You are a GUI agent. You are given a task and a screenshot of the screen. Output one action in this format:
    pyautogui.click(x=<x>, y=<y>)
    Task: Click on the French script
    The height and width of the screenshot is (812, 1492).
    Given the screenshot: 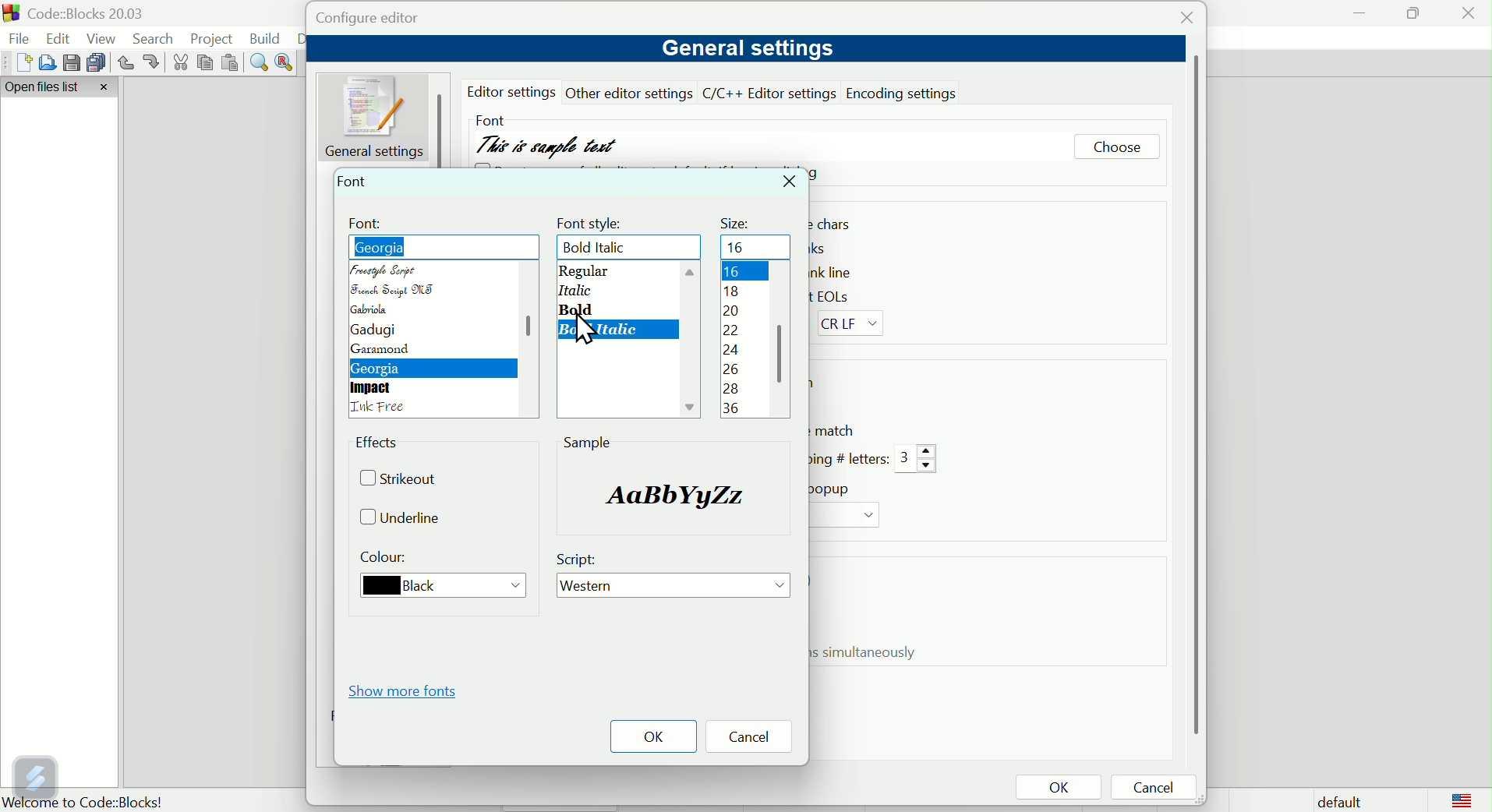 What is the action you would take?
    pyautogui.click(x=394, y=291)
    